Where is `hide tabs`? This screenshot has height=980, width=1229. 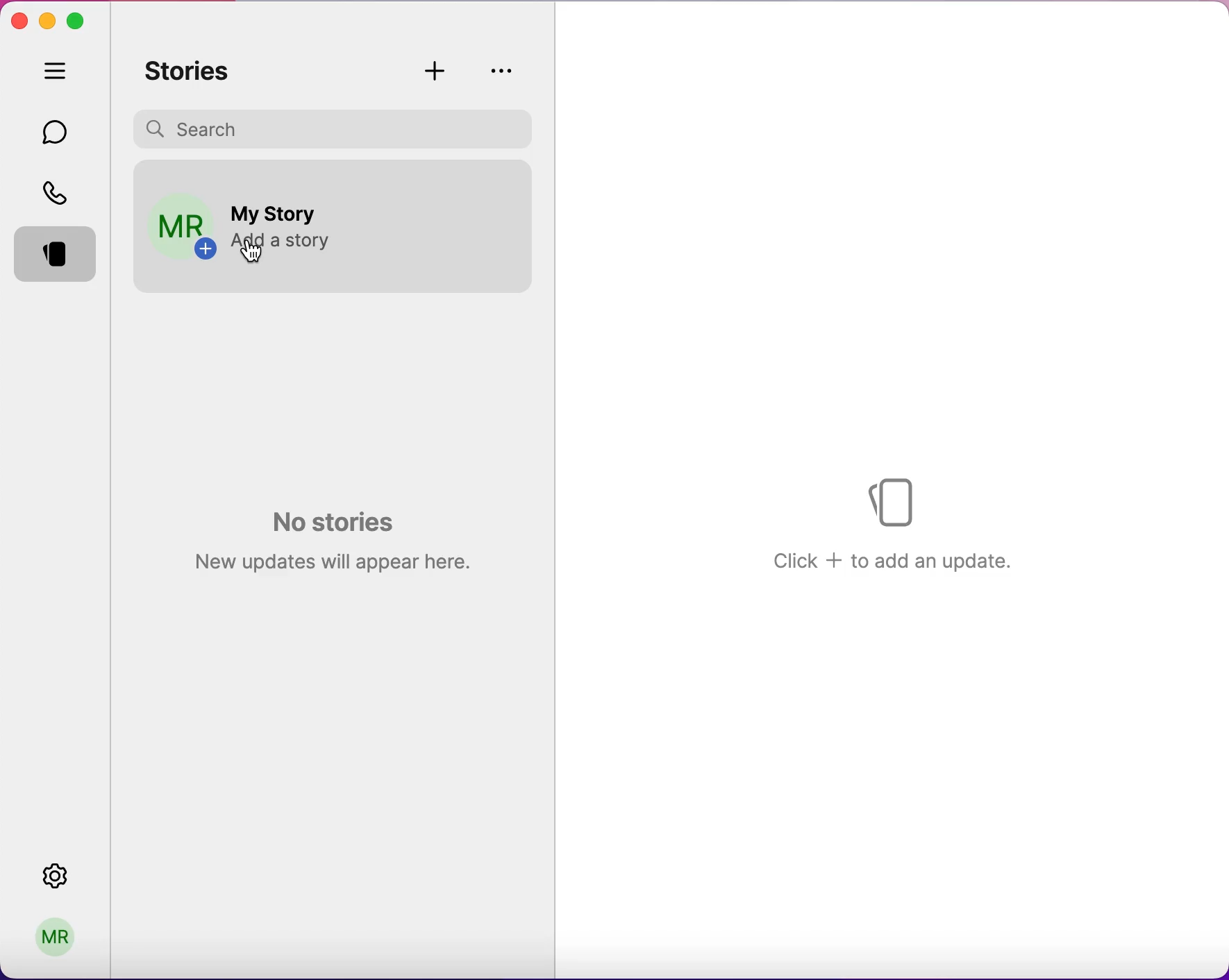 hide tabs is located at coordinates (58, 74).